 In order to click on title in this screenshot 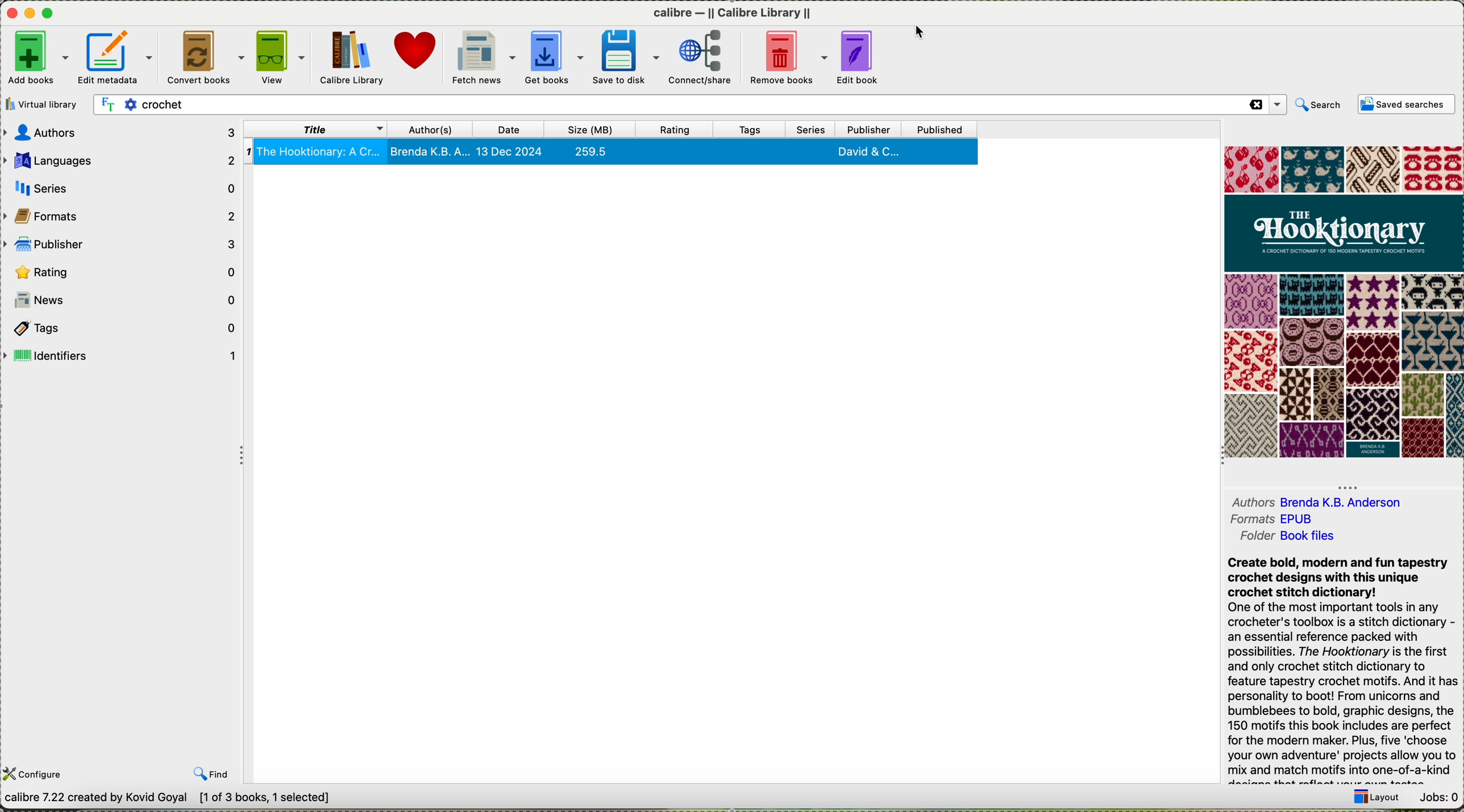, I will do `click(318, 128)`.